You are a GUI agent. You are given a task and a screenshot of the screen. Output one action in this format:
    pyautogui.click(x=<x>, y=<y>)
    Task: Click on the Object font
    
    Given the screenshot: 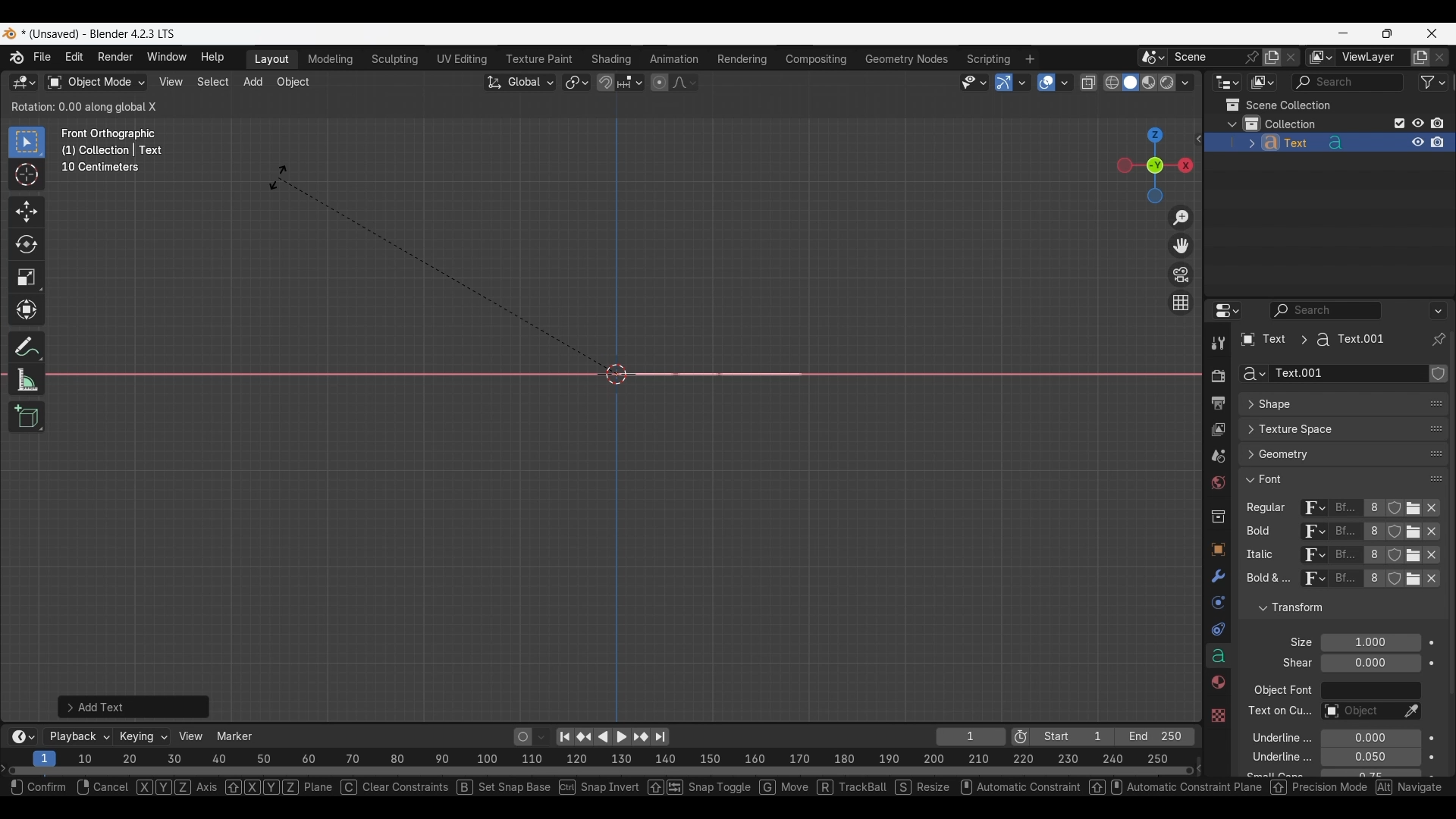 What is the action you would take?
    pyautogui.click(x=1370, y=691)
    